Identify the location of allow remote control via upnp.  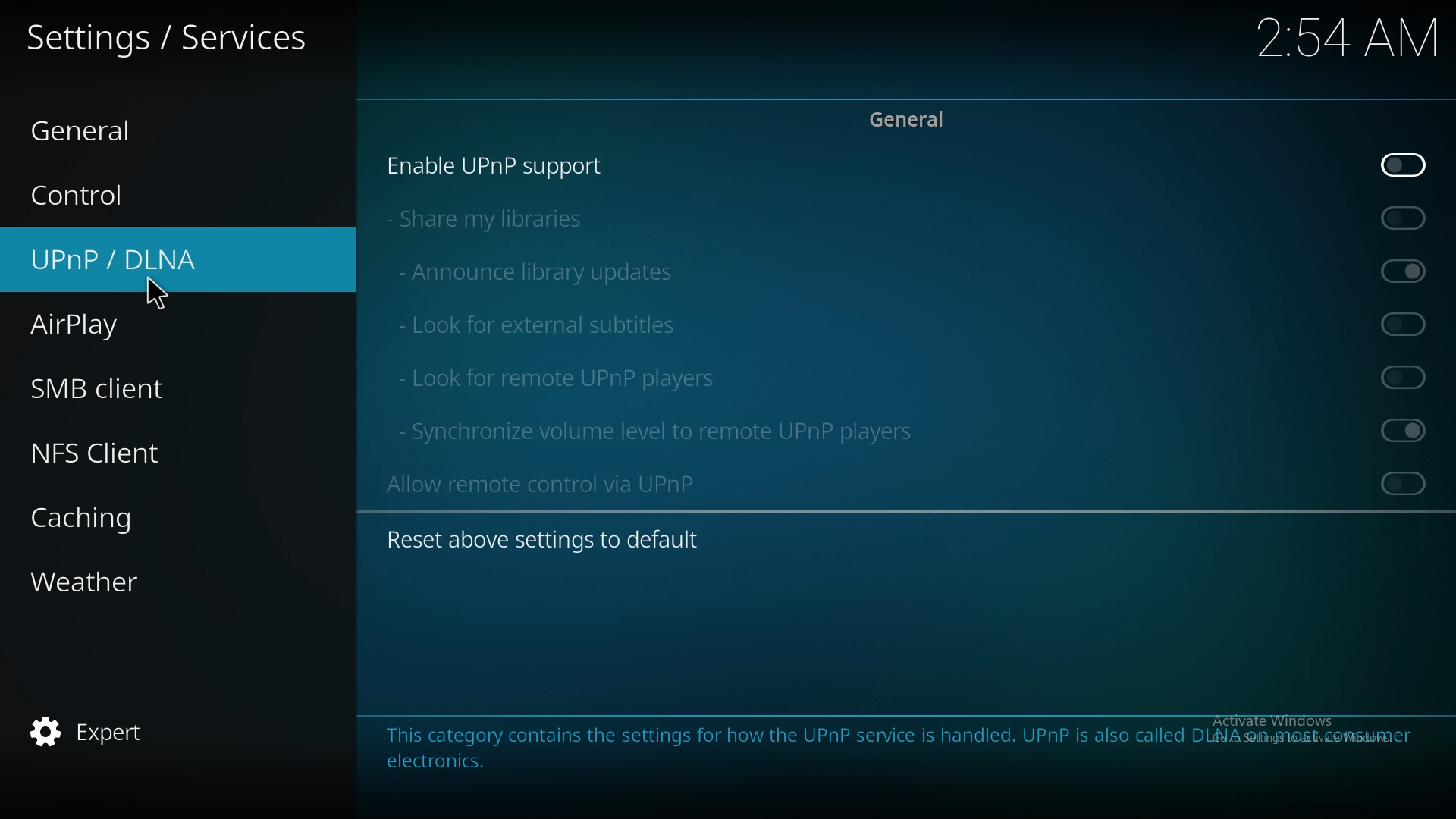
(560, 483).